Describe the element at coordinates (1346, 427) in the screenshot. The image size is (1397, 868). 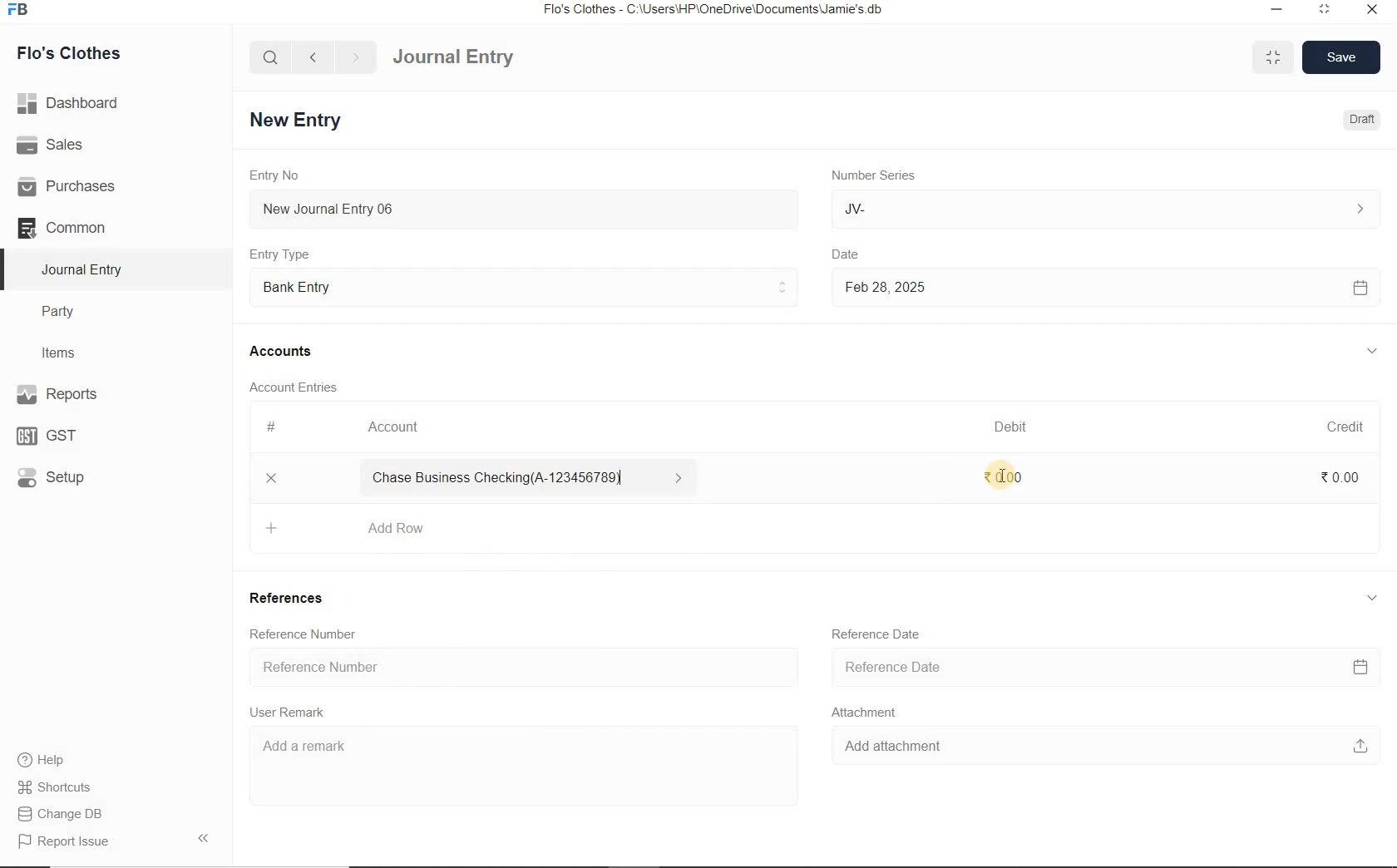
I see `Credit` at that location.